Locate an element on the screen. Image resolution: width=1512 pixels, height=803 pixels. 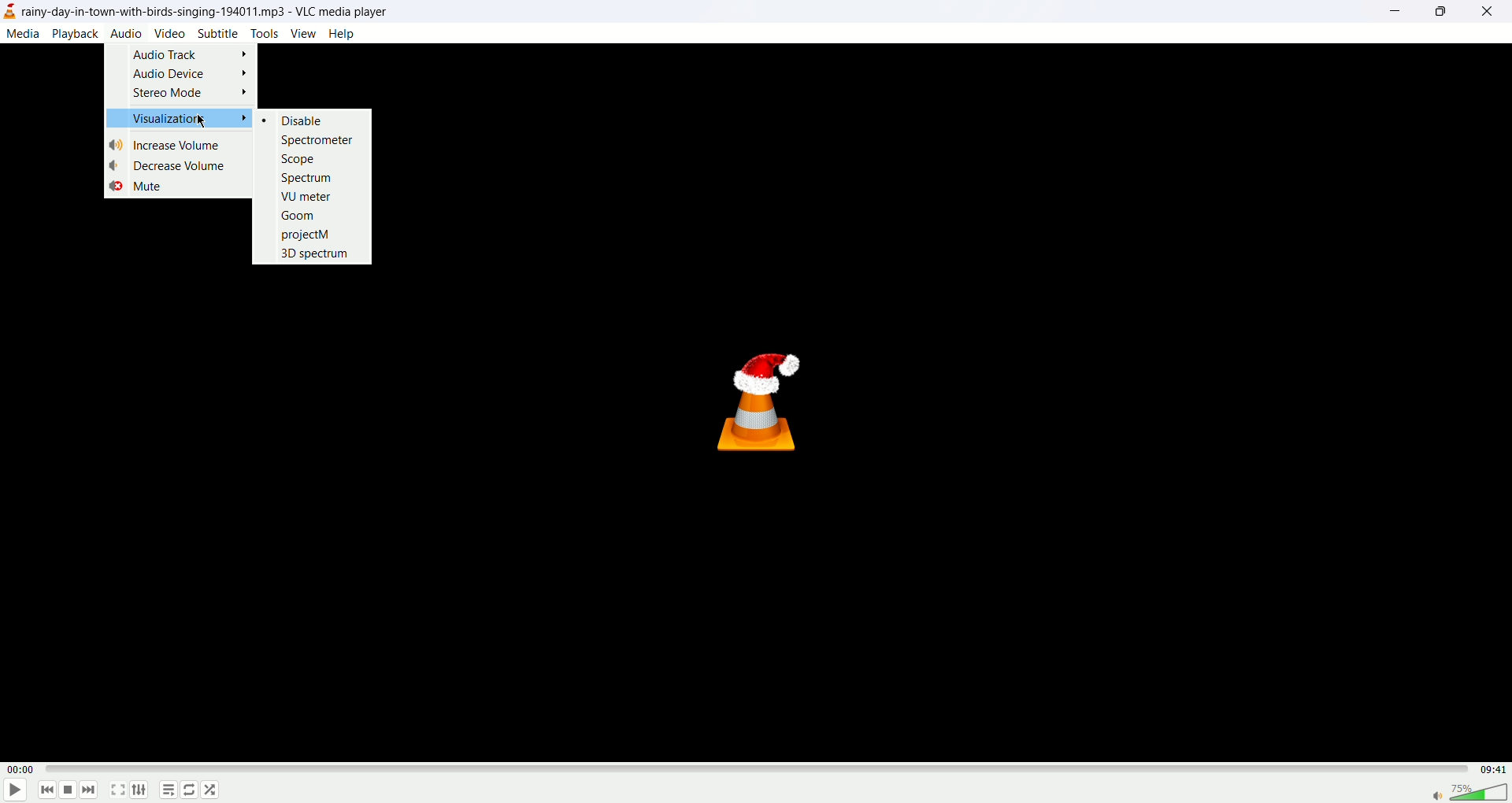
stop is located at coordinates (69, 790).